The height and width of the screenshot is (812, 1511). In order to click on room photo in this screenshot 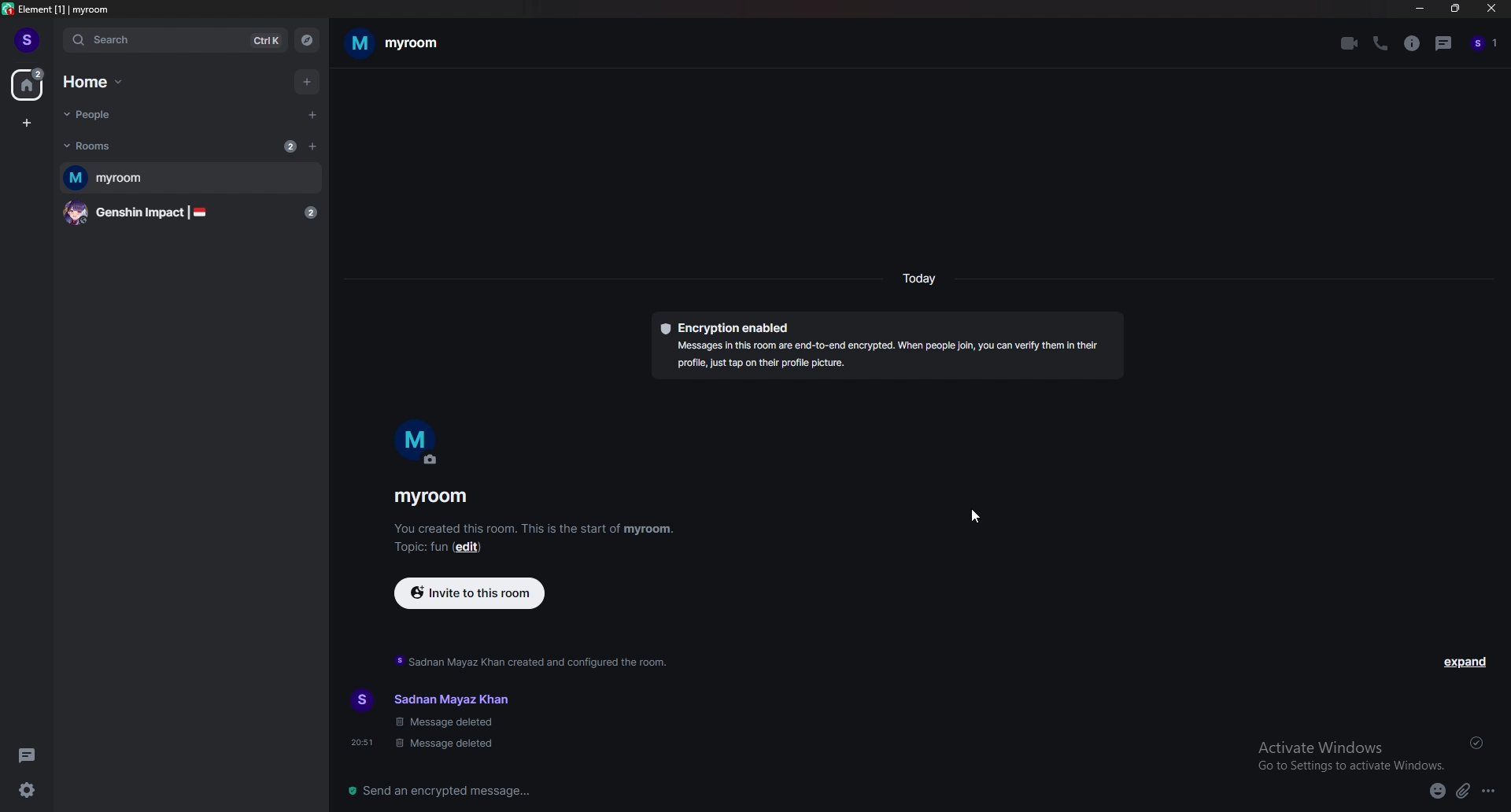, I will do `click(419, 445)`.